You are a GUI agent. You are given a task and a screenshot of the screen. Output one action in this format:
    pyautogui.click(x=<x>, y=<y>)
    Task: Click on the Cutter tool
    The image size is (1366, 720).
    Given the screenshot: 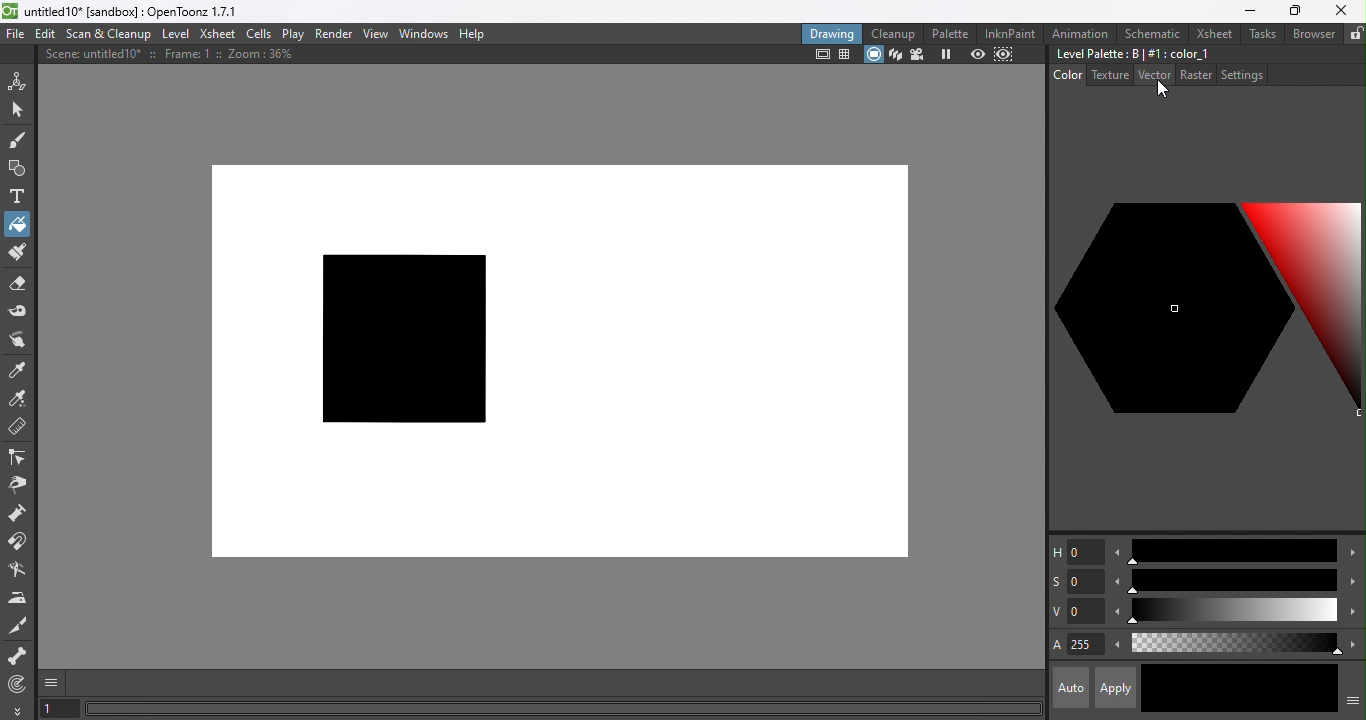 What is the action you would take?
    pyautogui.click(x=22, y=626)
    